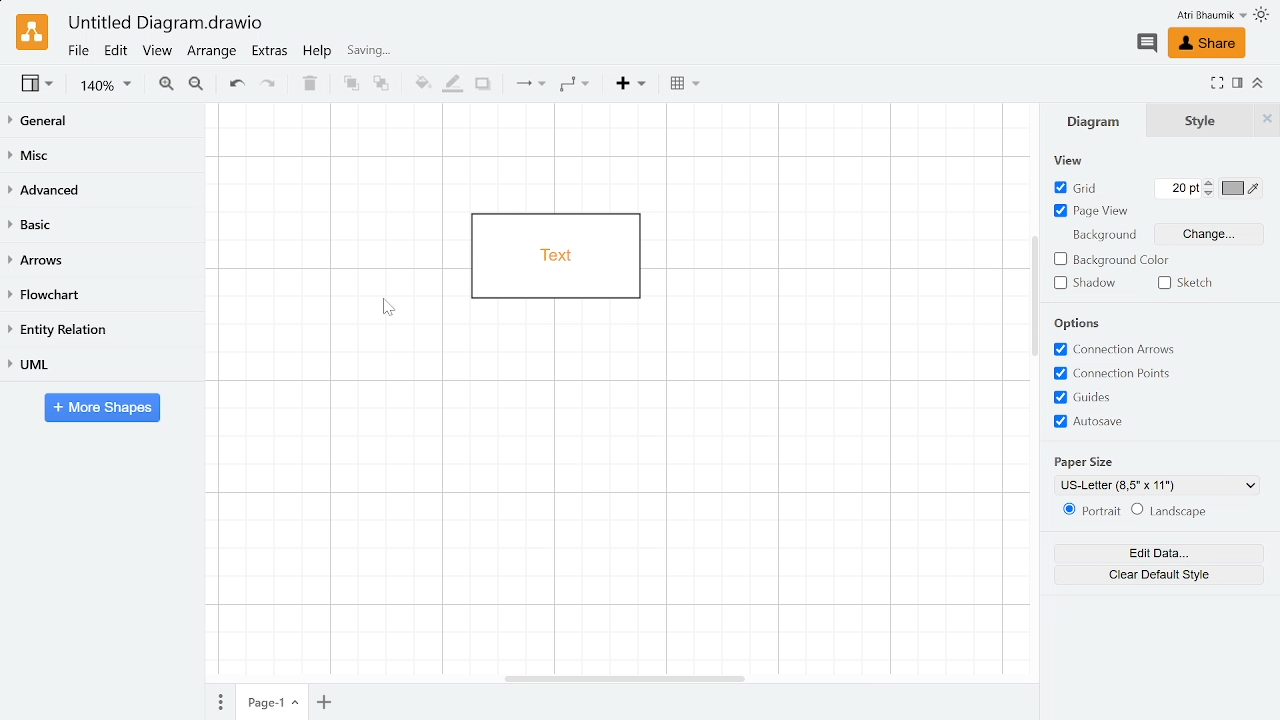  What do you see at coordinates (398, 316) in the screenshot?
I see `Cursor` at bounding box center [398, 316].